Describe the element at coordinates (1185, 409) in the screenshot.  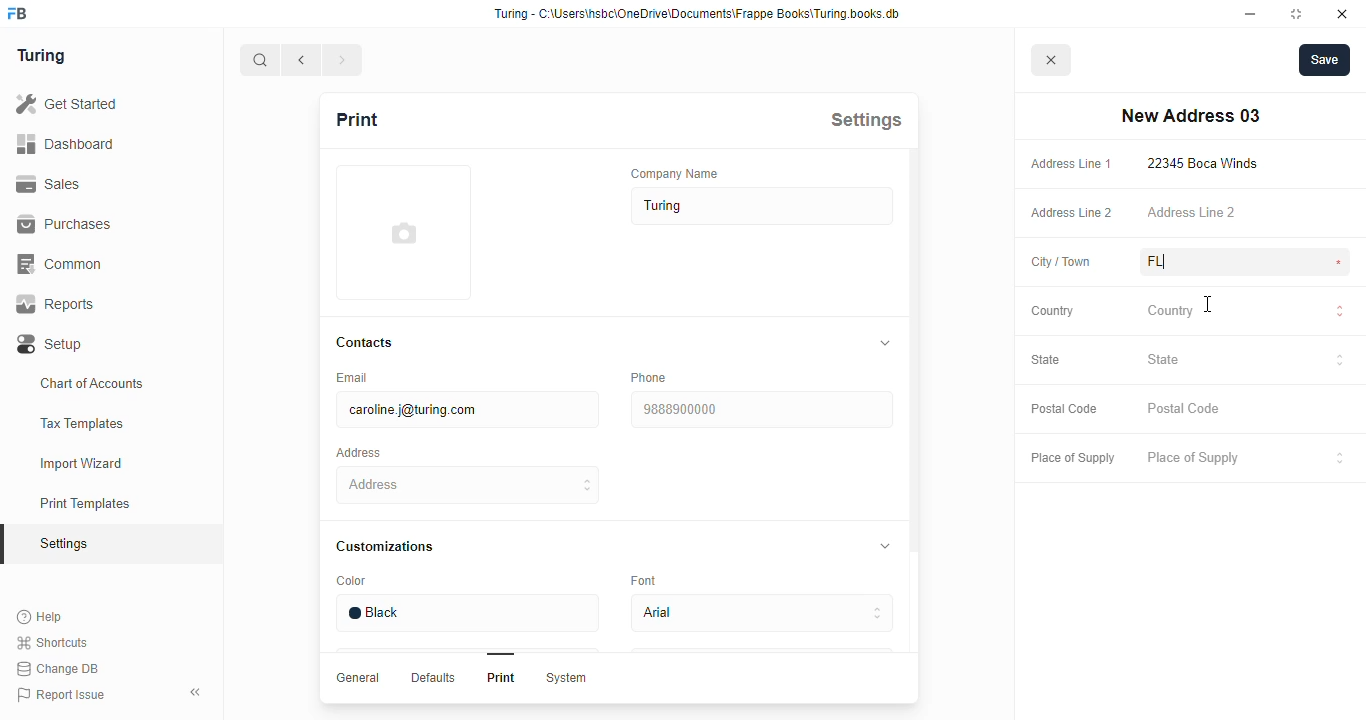
I see `postal code` at that location.